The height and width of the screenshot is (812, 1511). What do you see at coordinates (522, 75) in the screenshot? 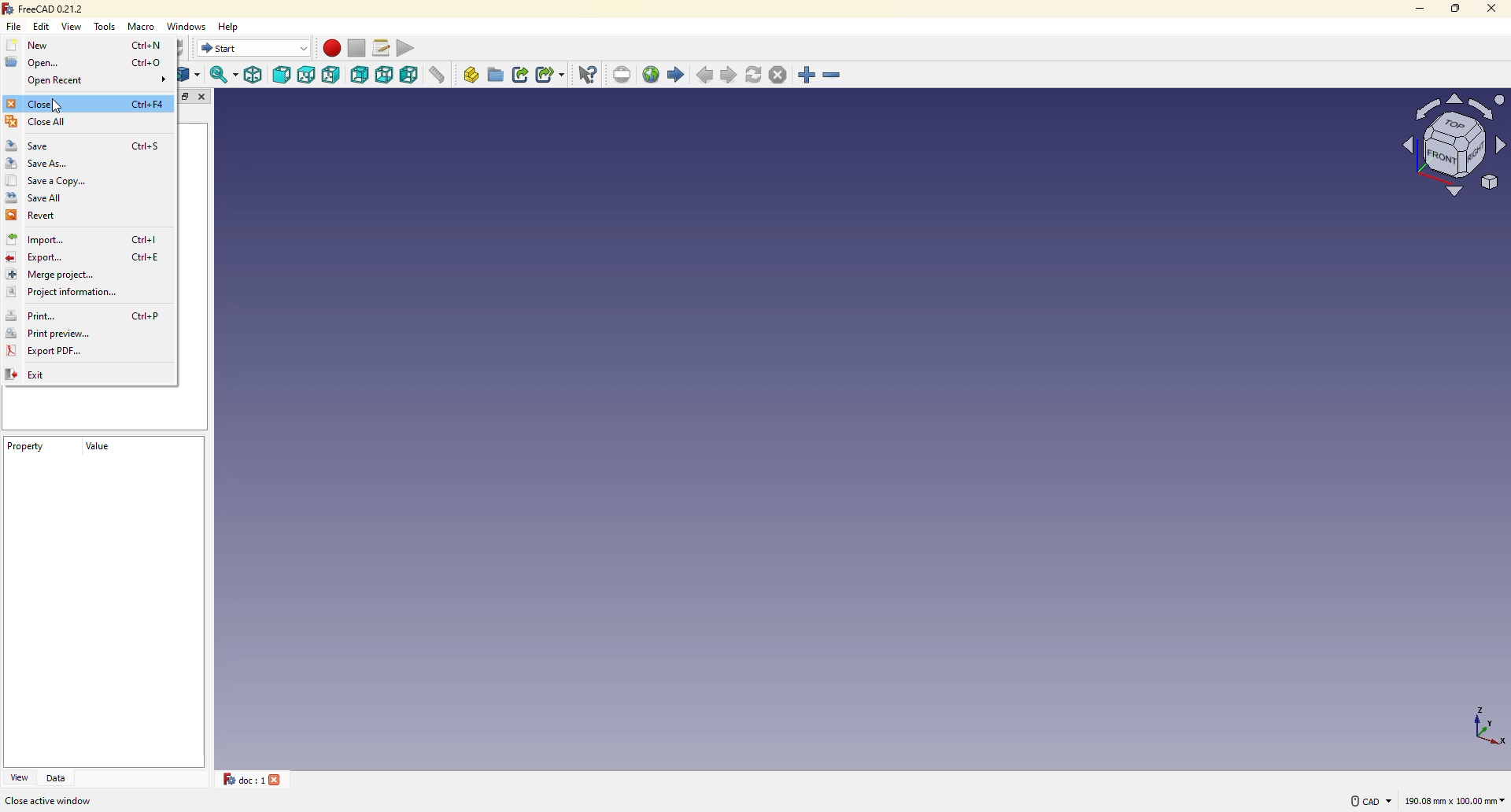
I see `make link` at bounding box center [522, 75].